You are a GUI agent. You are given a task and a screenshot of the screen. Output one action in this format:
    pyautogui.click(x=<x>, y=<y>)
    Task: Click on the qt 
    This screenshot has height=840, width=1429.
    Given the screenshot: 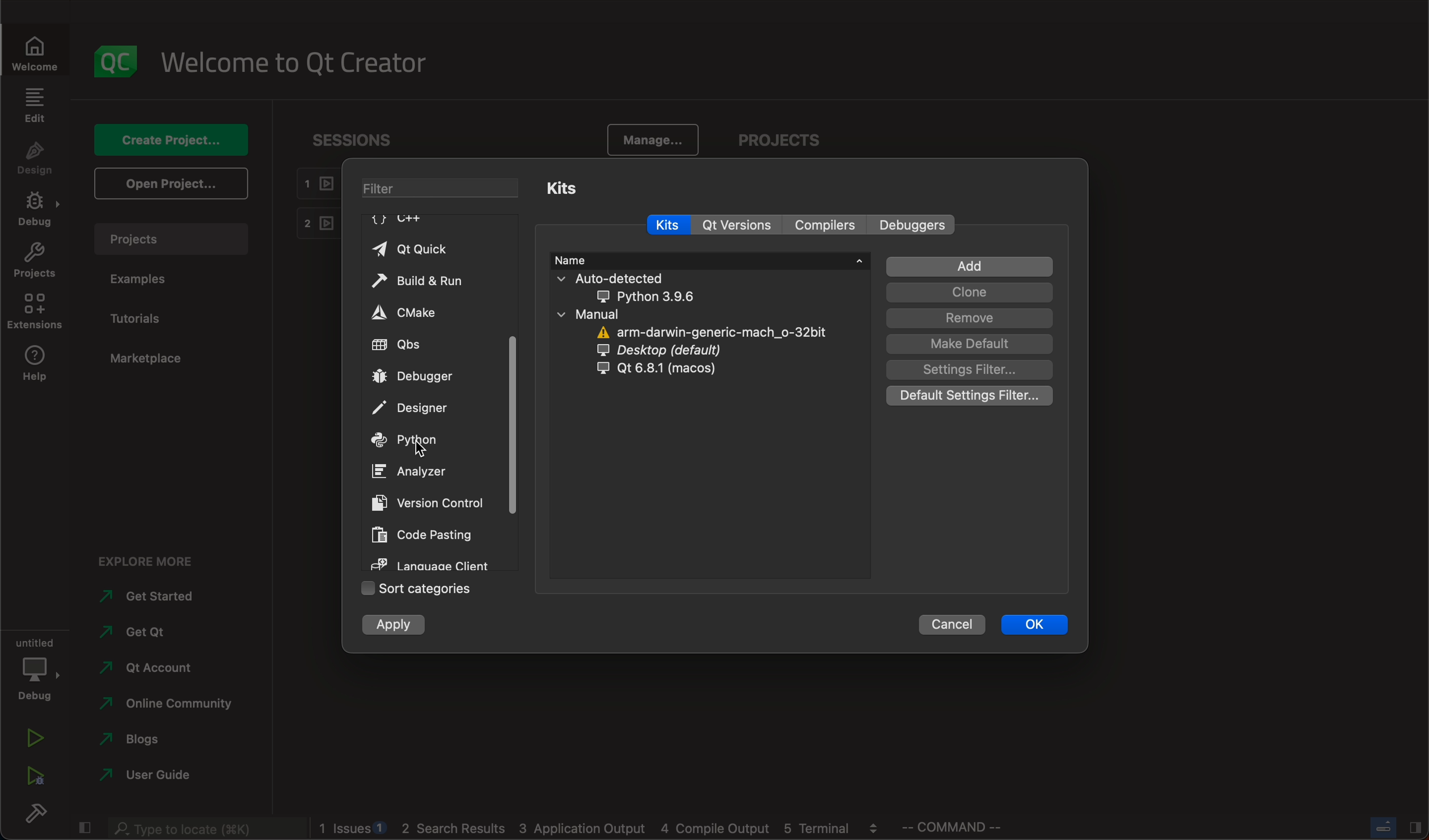 What is the action you would take?
    pyautogui.click(x=646, y=371)
    